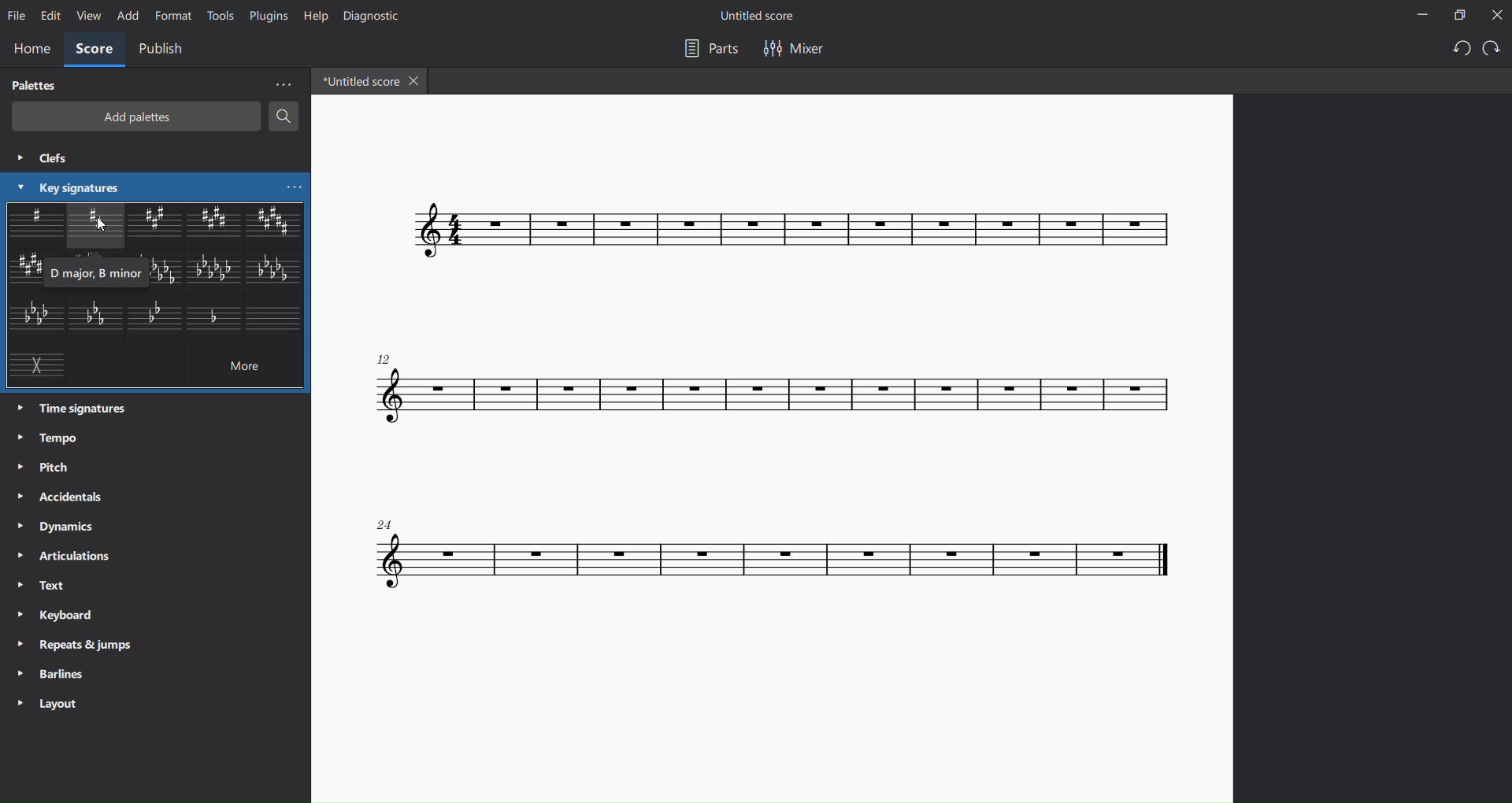  What do you see at coordinates (53, 705) in the screenshot?
I see `layout` at bounding box center [53, 705].